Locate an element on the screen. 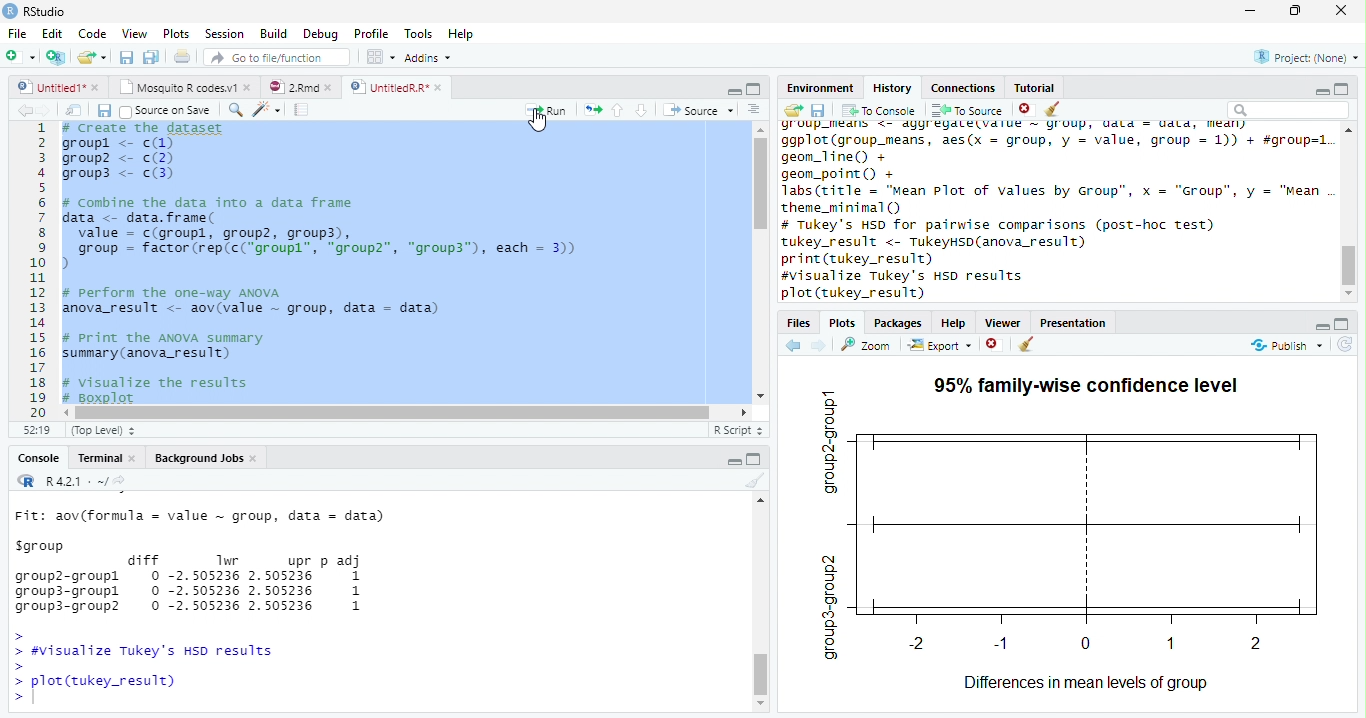 This screenshot has height=718, width=1366. Maximize is located at coordinates (755, 461).